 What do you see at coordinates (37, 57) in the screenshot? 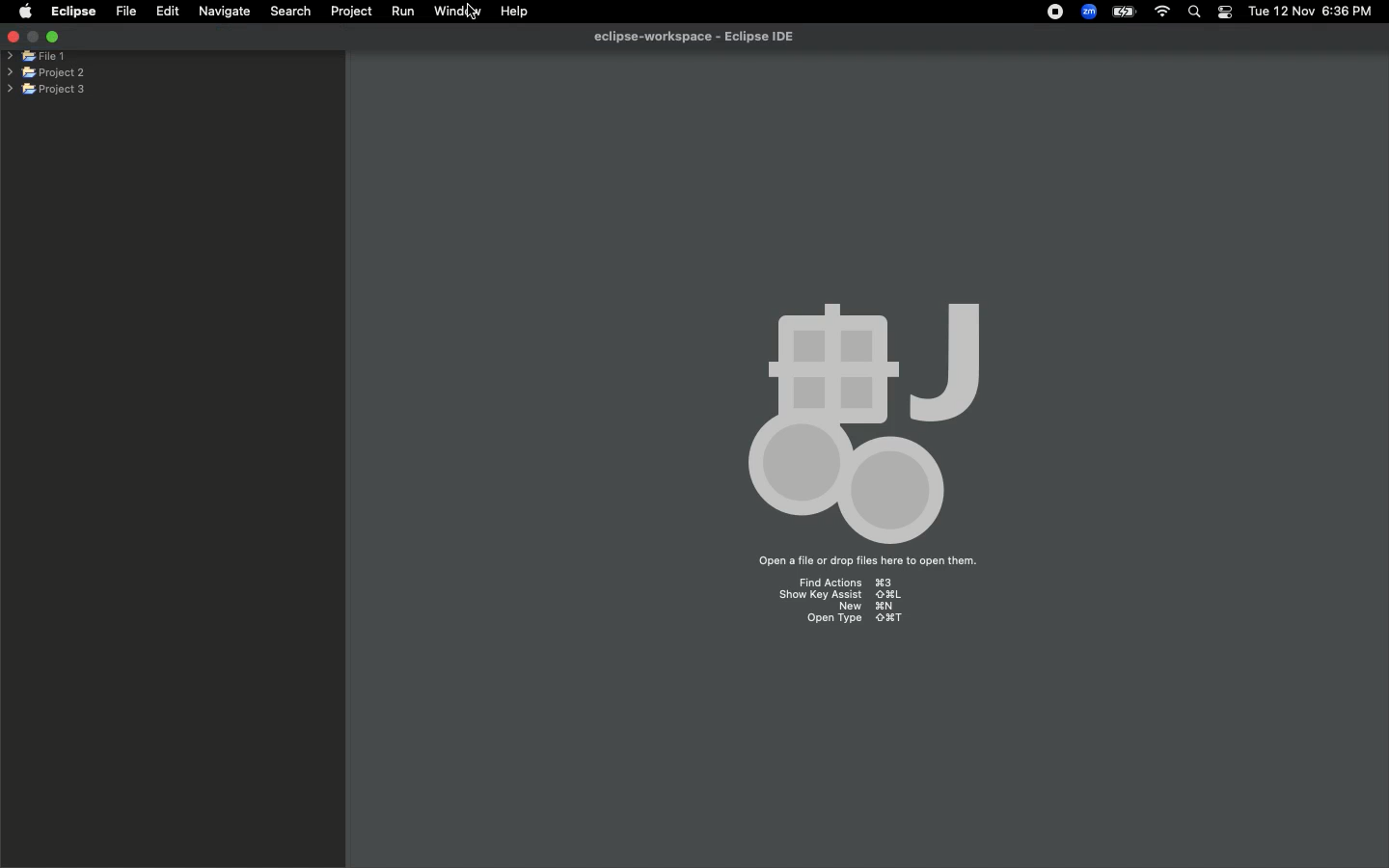
I see `File 1` at bounding box center [37, 57].